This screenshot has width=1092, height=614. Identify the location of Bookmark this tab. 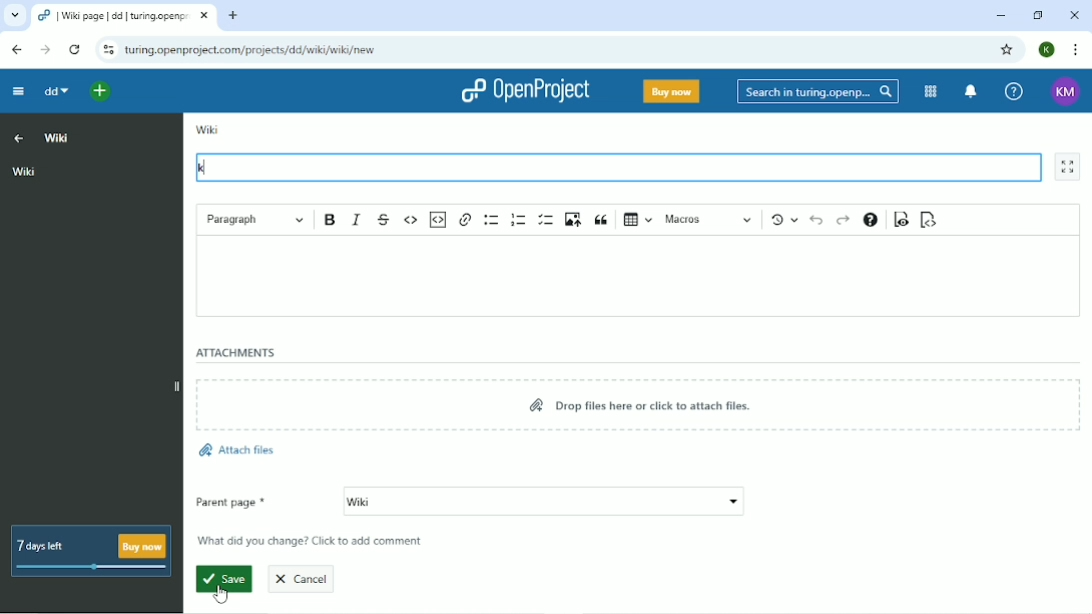
(1007, 51).